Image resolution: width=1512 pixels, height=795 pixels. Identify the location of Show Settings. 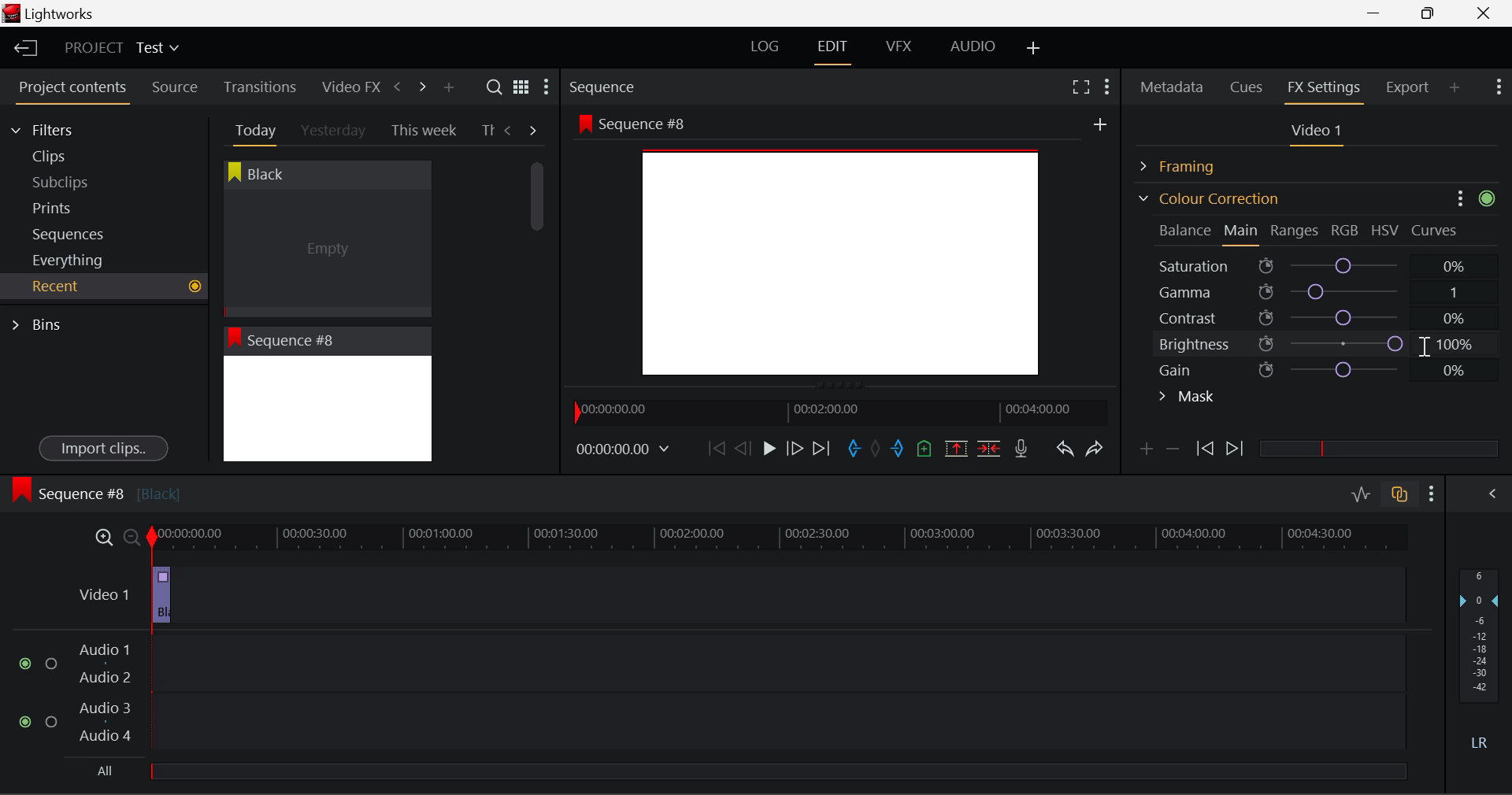
(1106, 84).